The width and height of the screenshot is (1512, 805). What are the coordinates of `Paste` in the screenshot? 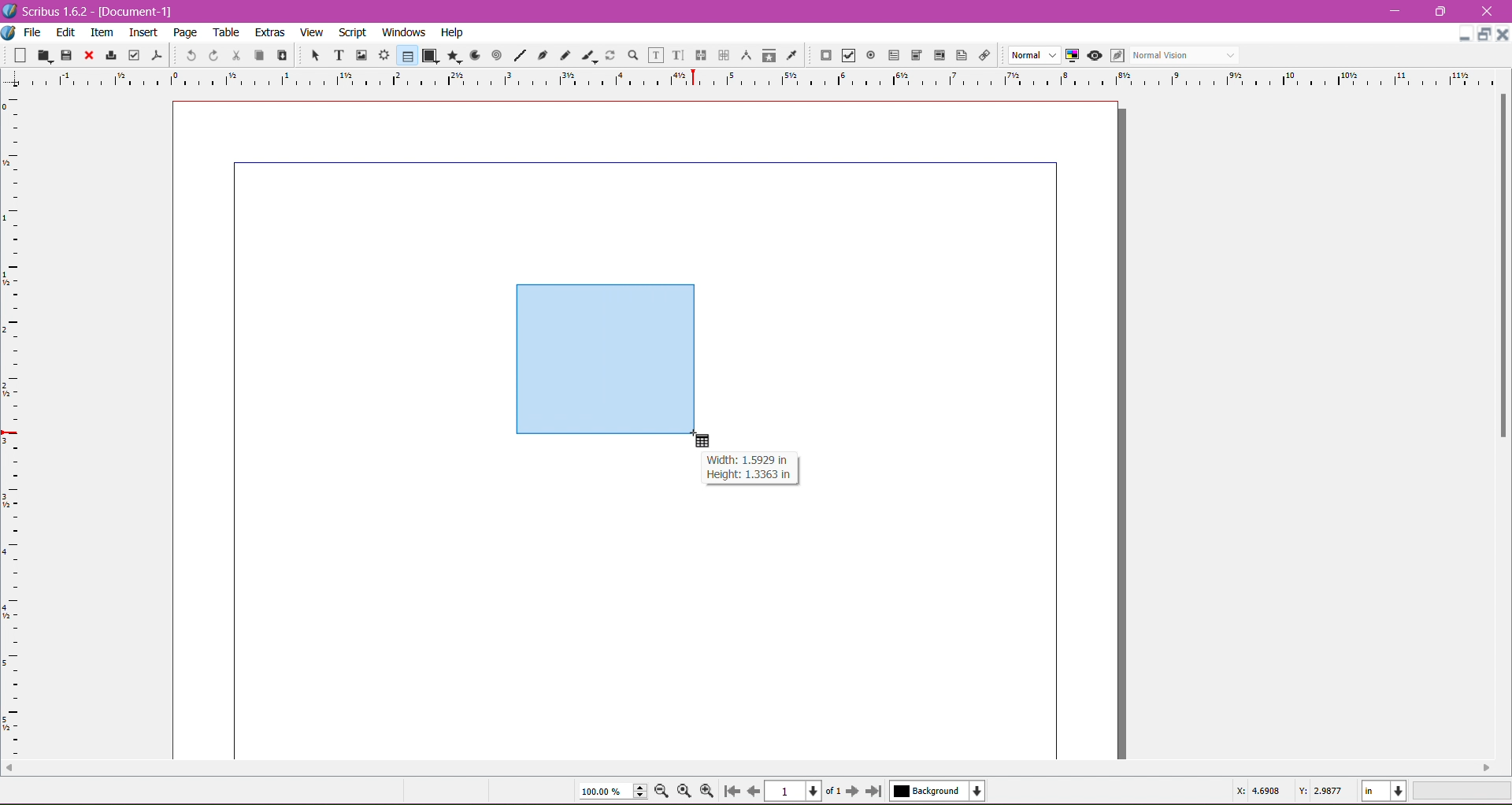 It's located at (280, 56).